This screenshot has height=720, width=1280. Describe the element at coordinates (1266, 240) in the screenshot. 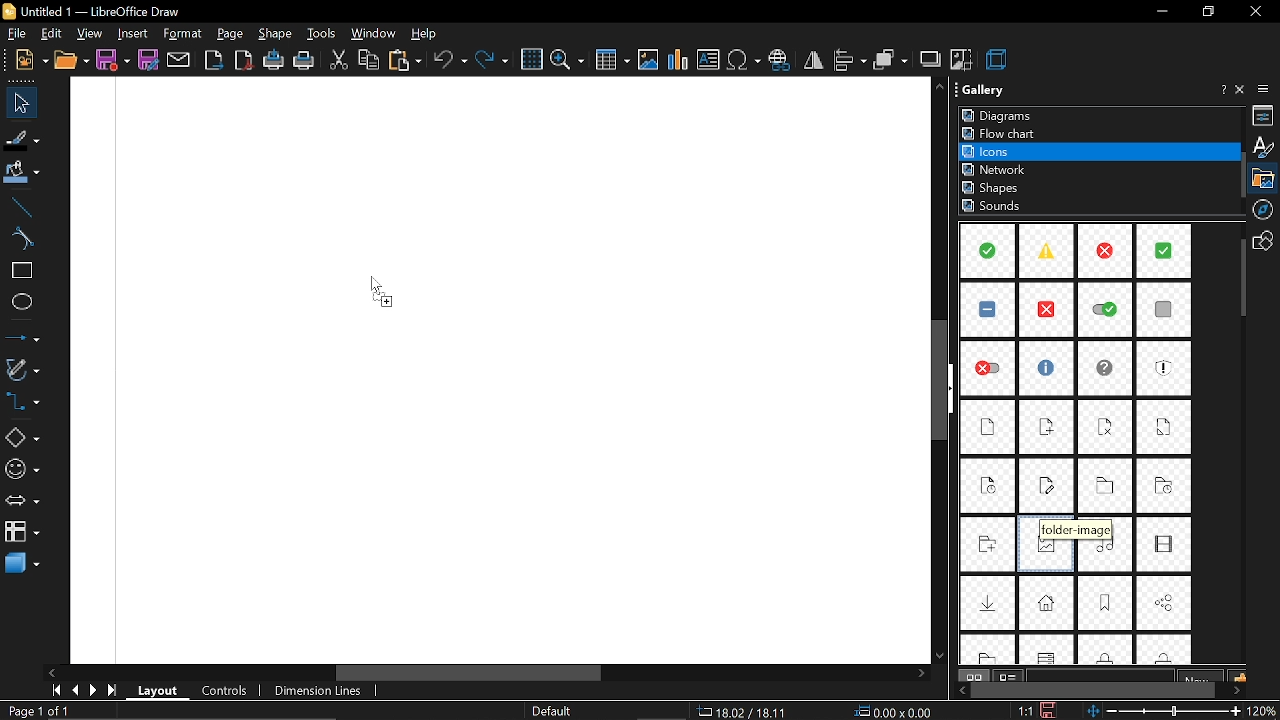

I see `shapes` at that location.